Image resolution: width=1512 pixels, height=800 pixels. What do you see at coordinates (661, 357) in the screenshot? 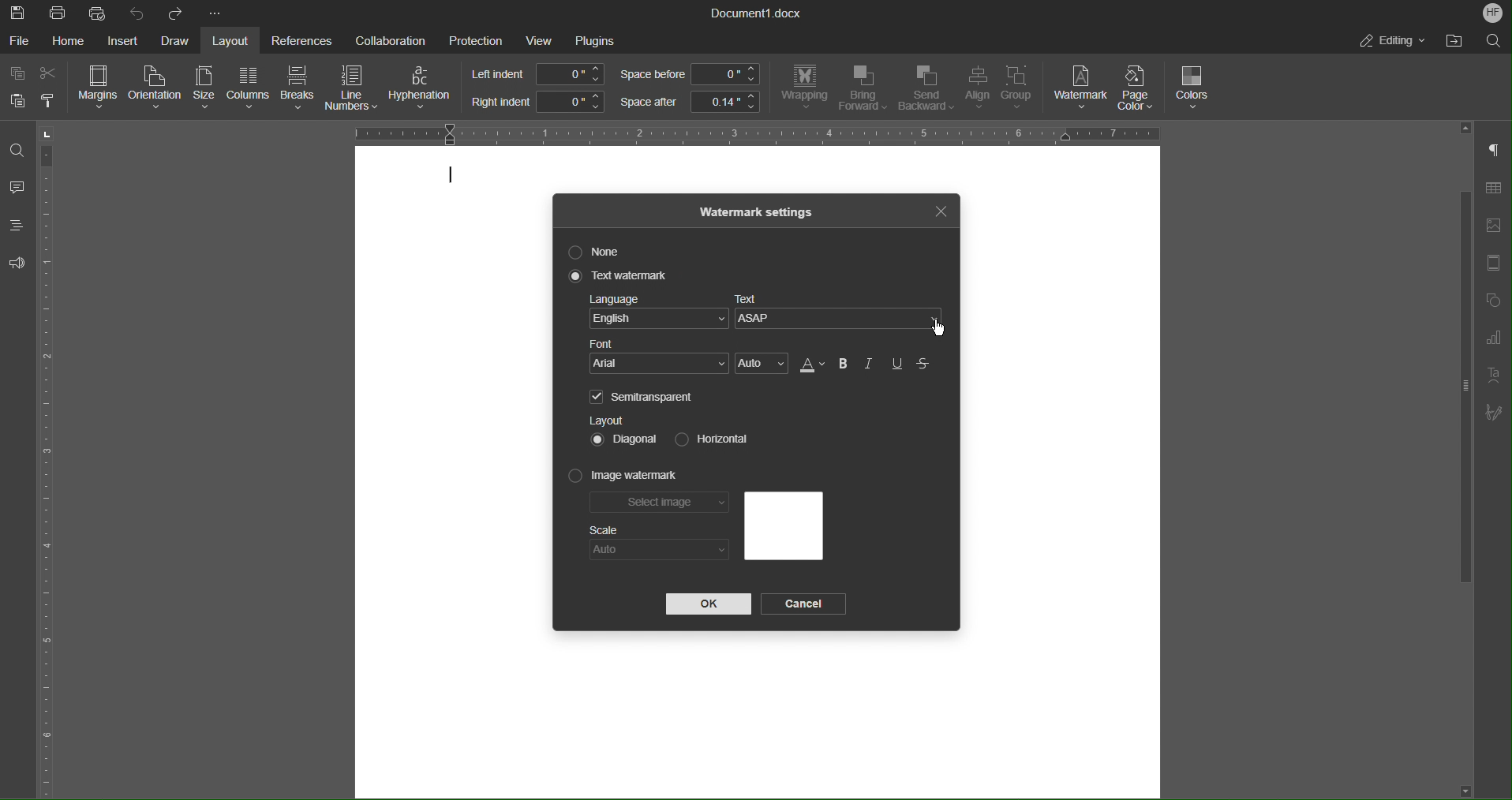
I see `Font` at bounding box center [661, 357].